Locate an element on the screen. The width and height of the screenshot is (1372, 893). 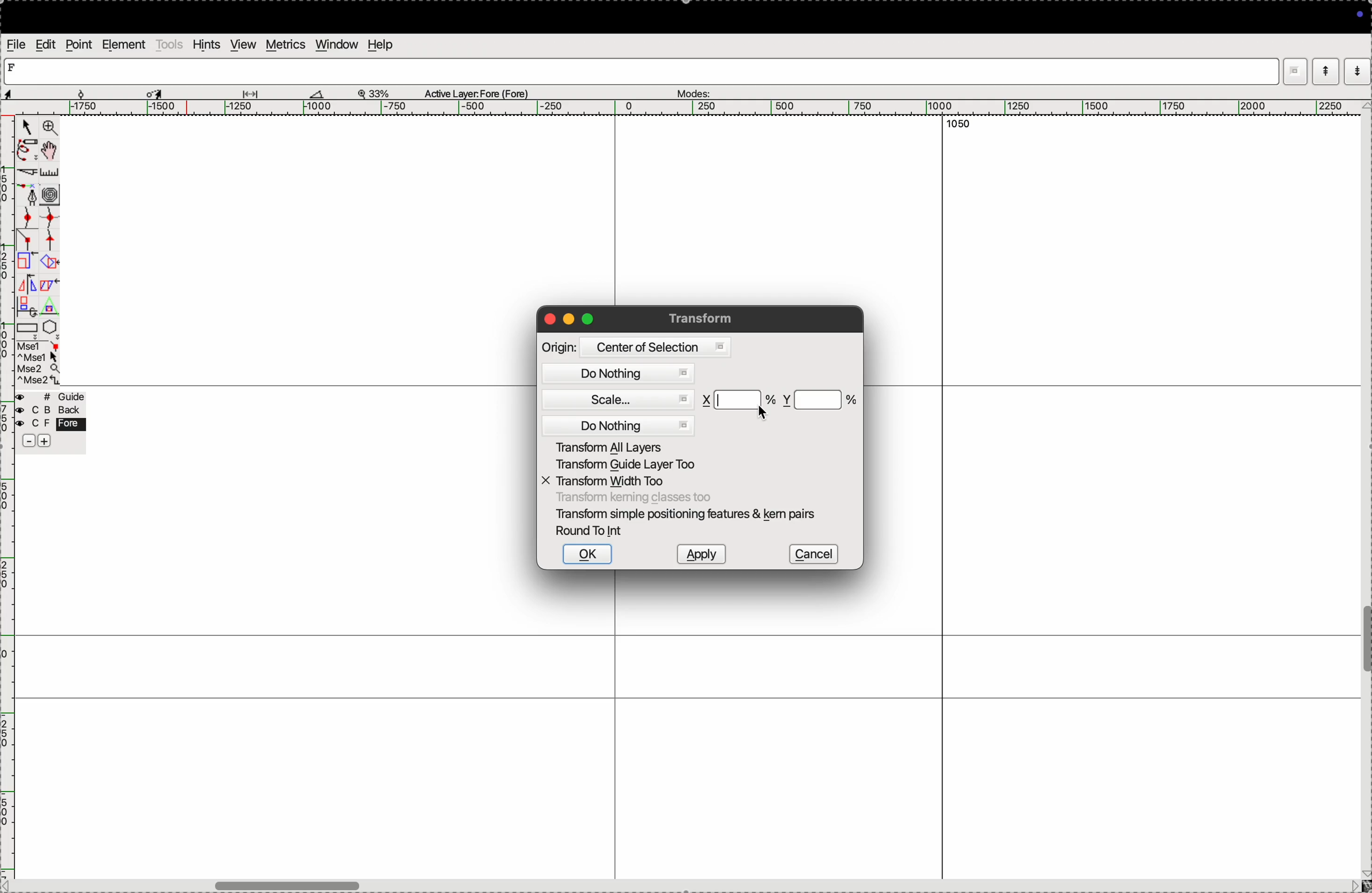
1050 is located at coordinates (955, 125).